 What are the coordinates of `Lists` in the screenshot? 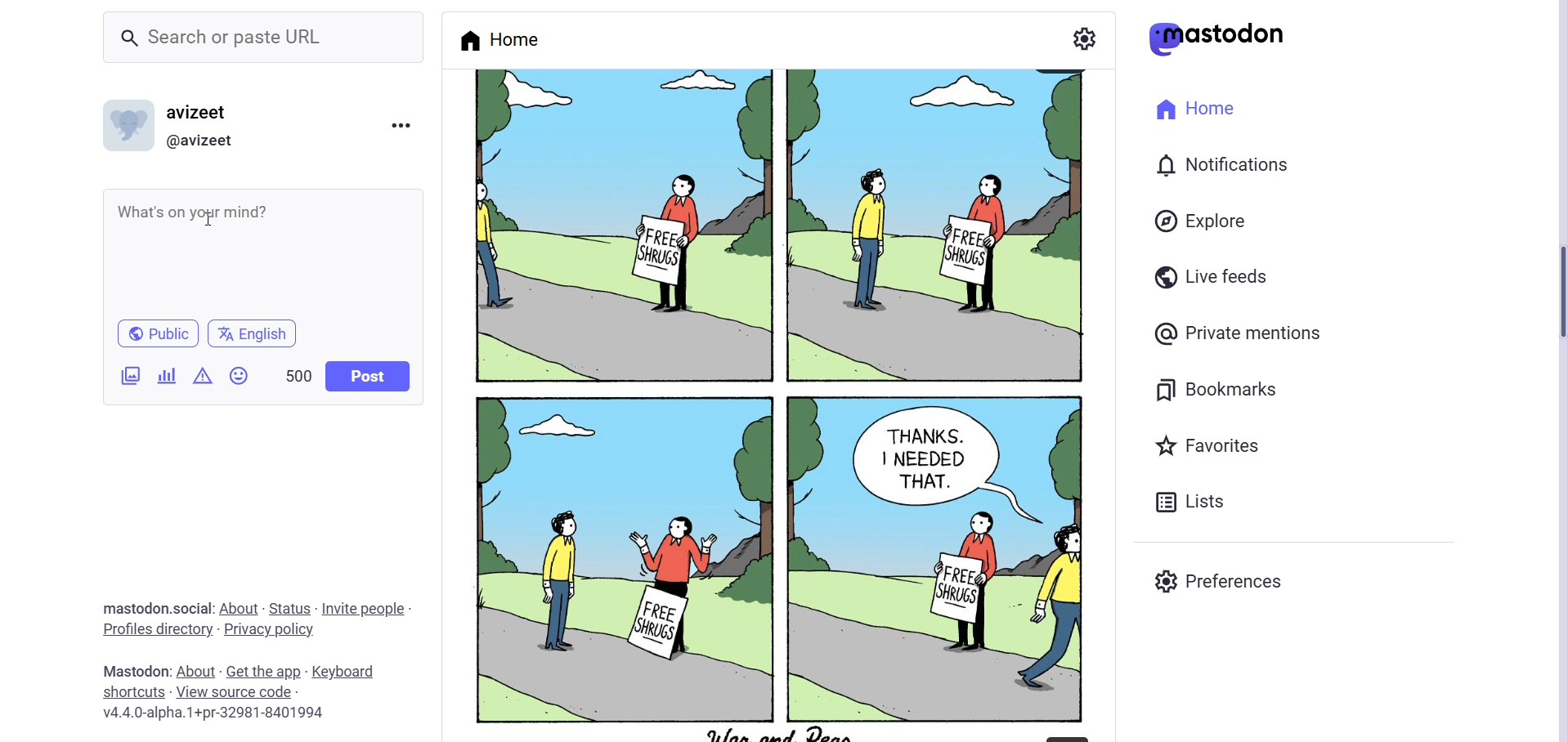 It's located at (1194, 498).